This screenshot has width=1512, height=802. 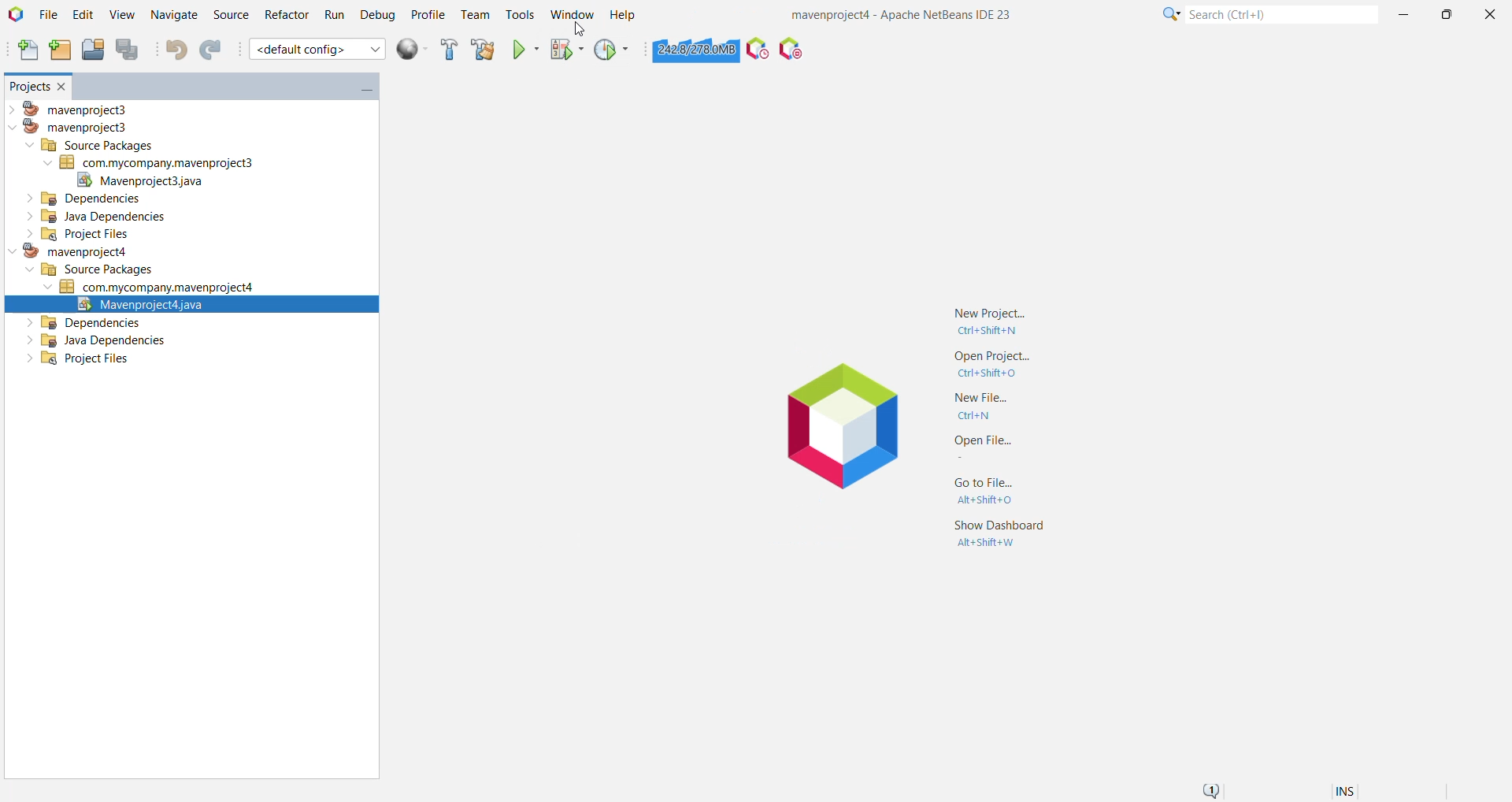 What do you see at coordinates (428, 17) in the screenshot?
I see `Profile` at bounding box center [428, 17].